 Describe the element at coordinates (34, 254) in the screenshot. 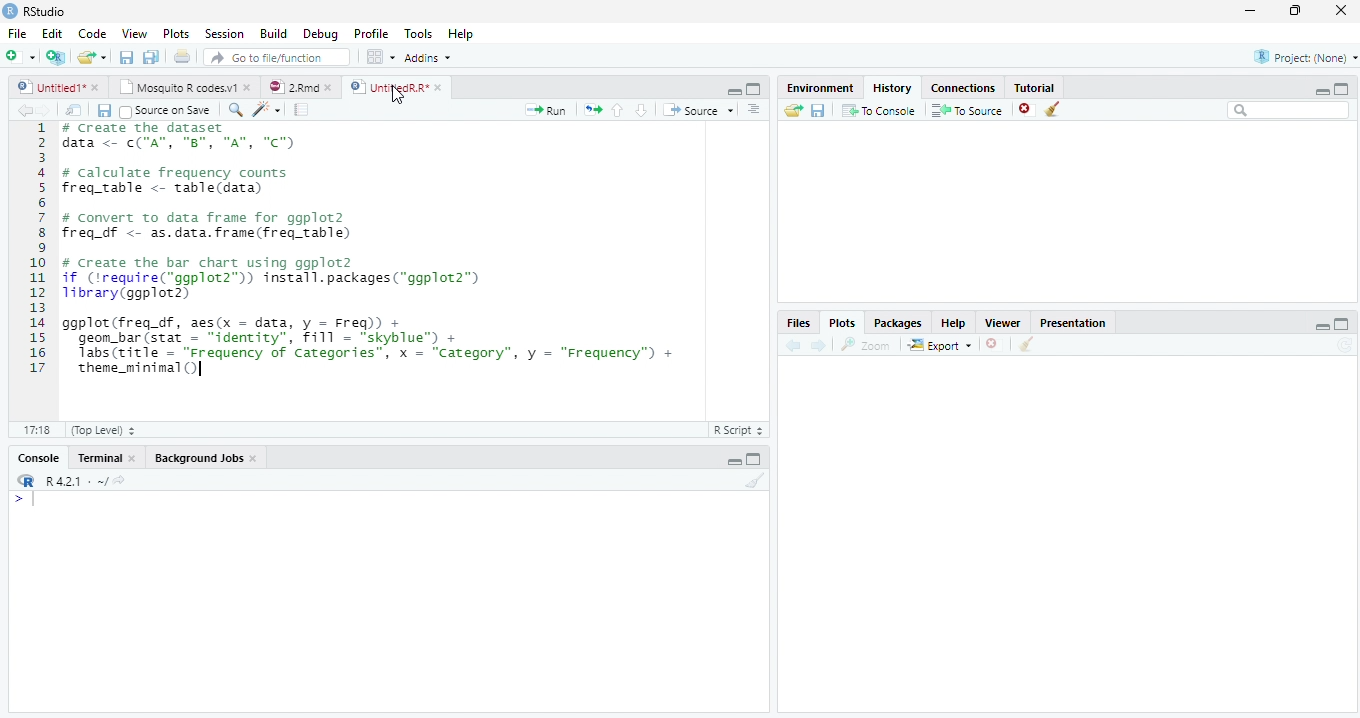

I see `Number list` at that location.